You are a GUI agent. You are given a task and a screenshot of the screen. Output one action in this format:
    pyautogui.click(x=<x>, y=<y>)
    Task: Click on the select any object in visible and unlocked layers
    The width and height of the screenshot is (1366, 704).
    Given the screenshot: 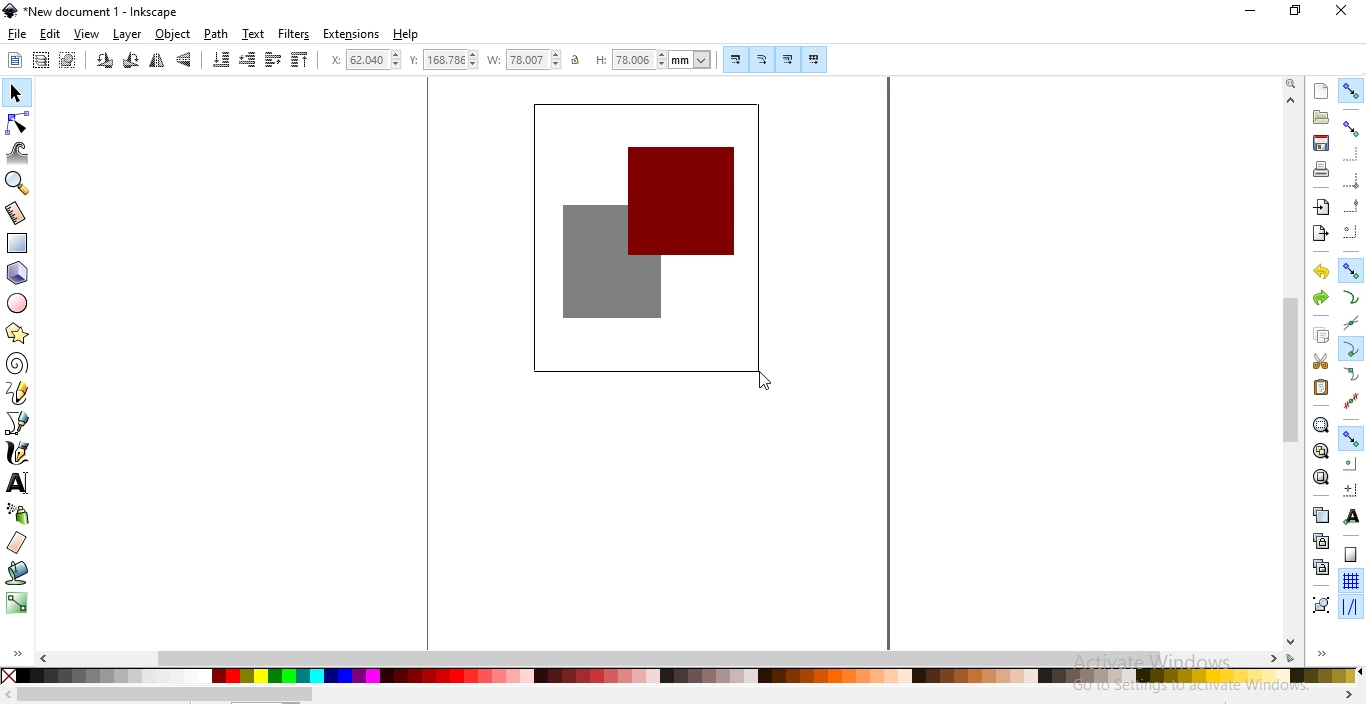 What is the action you would take?
    pyautogui.click(x=42, y=60)
    